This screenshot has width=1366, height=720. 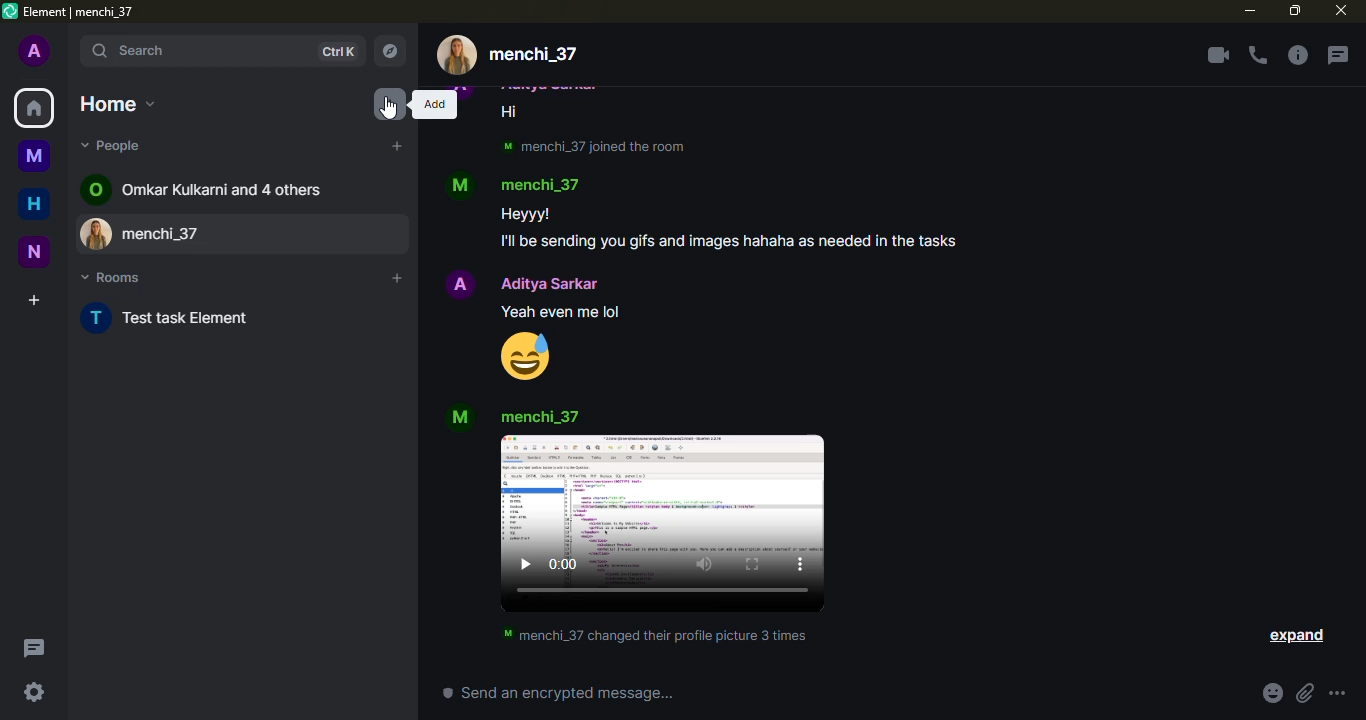 What do you see at coordinates (34, 108) in the screenshot?
I see `home` at bounding box center [34, 108].